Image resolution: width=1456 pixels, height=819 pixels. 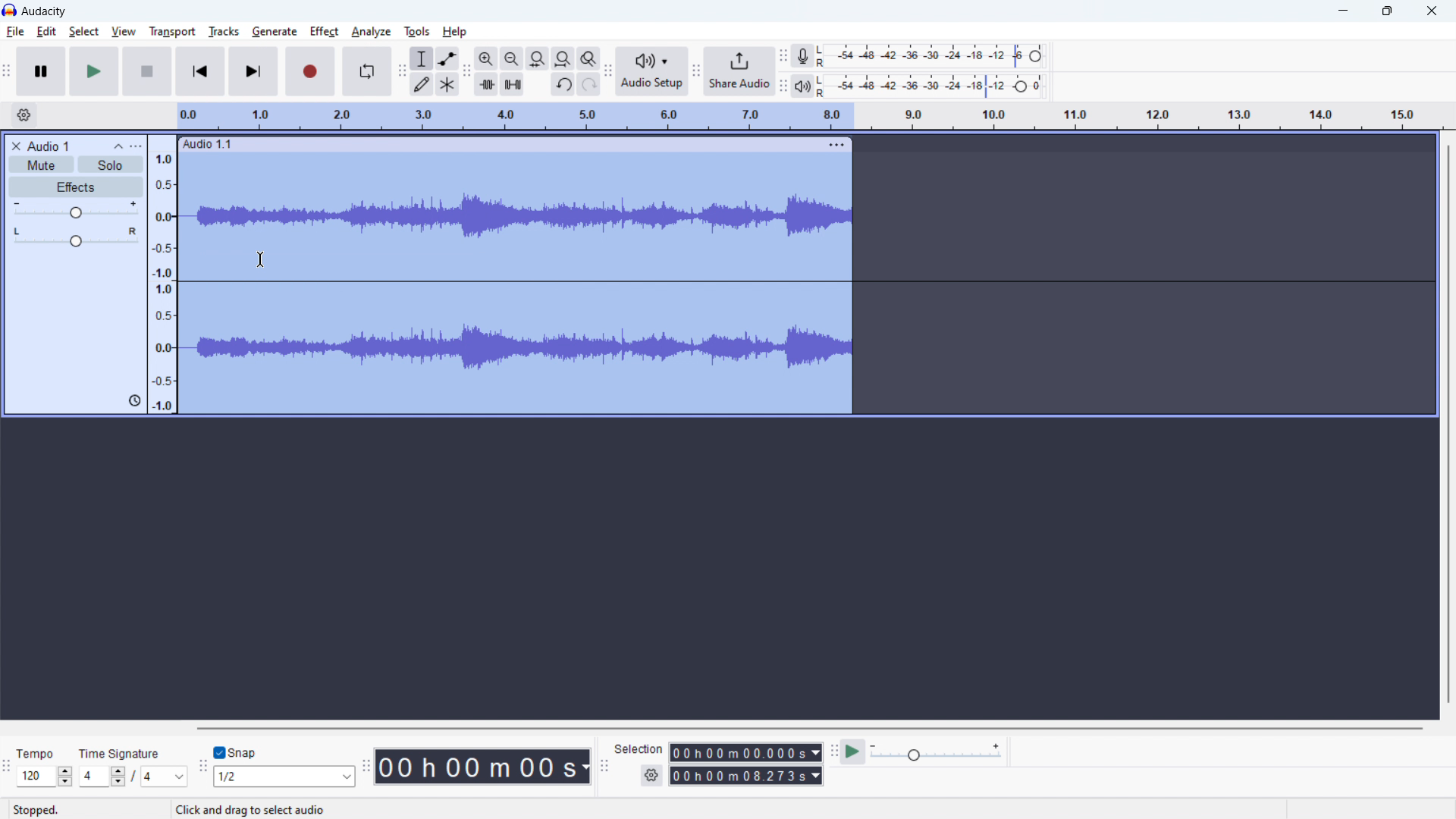 What do you see at coordinates (9, 10) in the screenshot?
I see `logo` at bounding box center [9, 10].